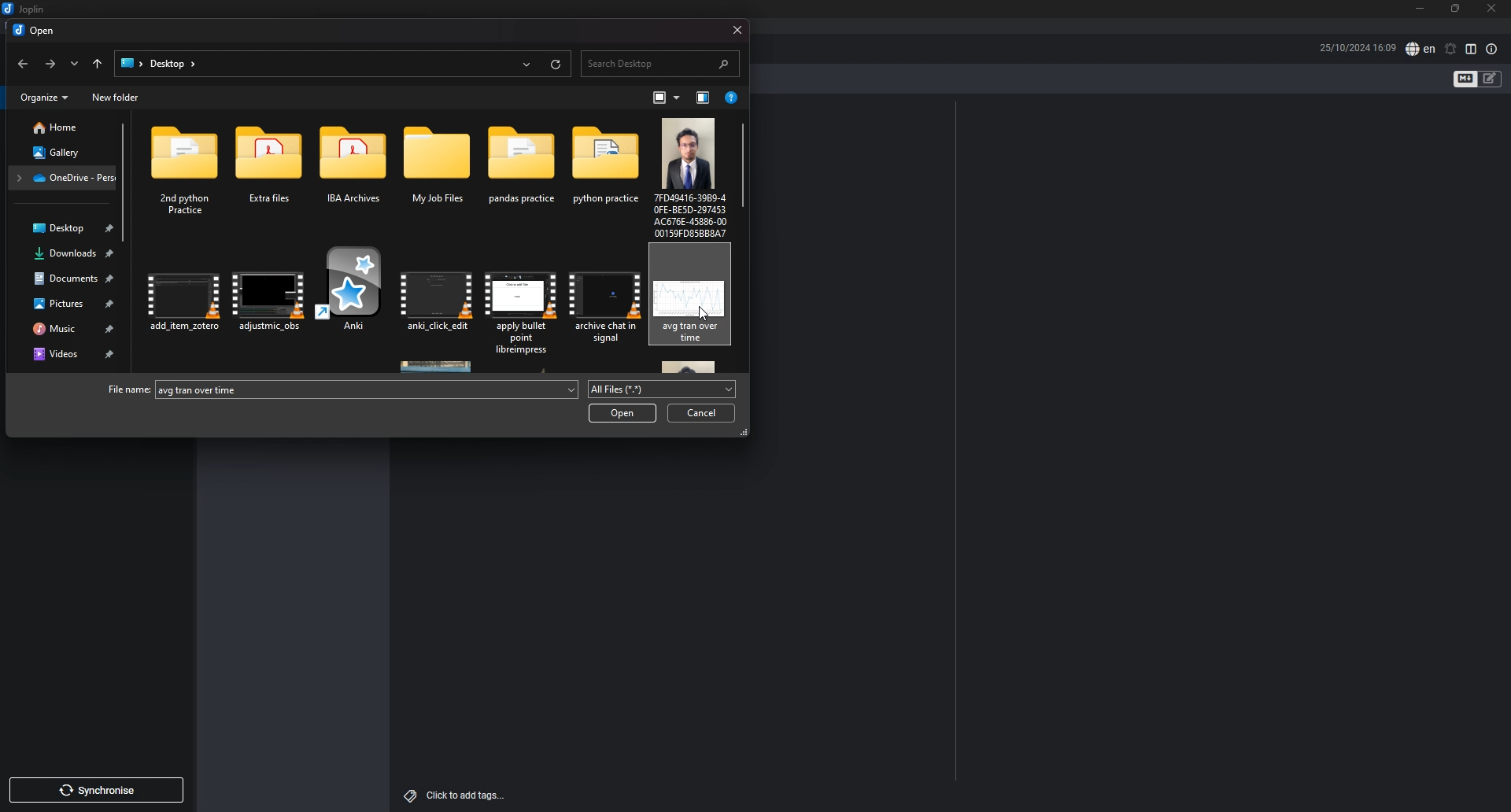 This screenshot has width=1511, height=812. I want to click on videos, so click(68, 352).